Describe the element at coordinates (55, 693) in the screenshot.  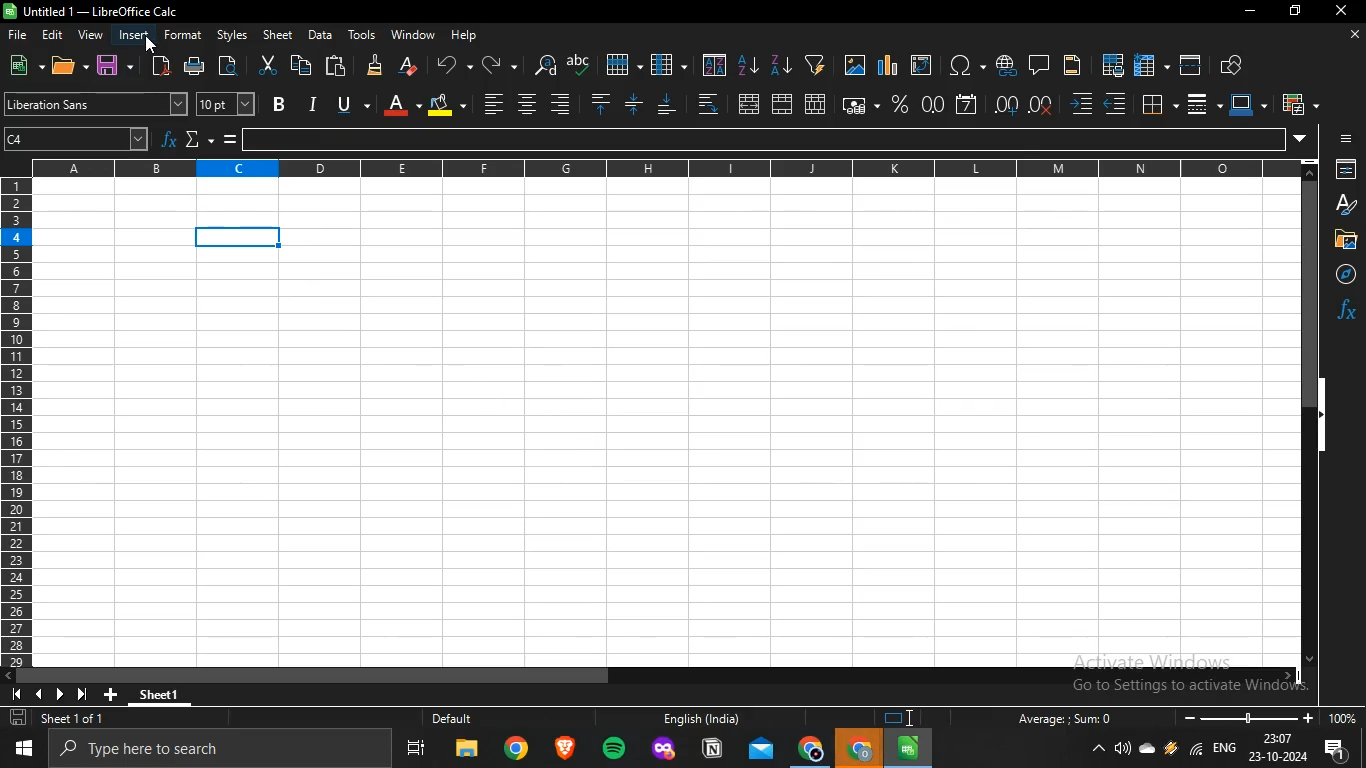
I see `icon` at that location.